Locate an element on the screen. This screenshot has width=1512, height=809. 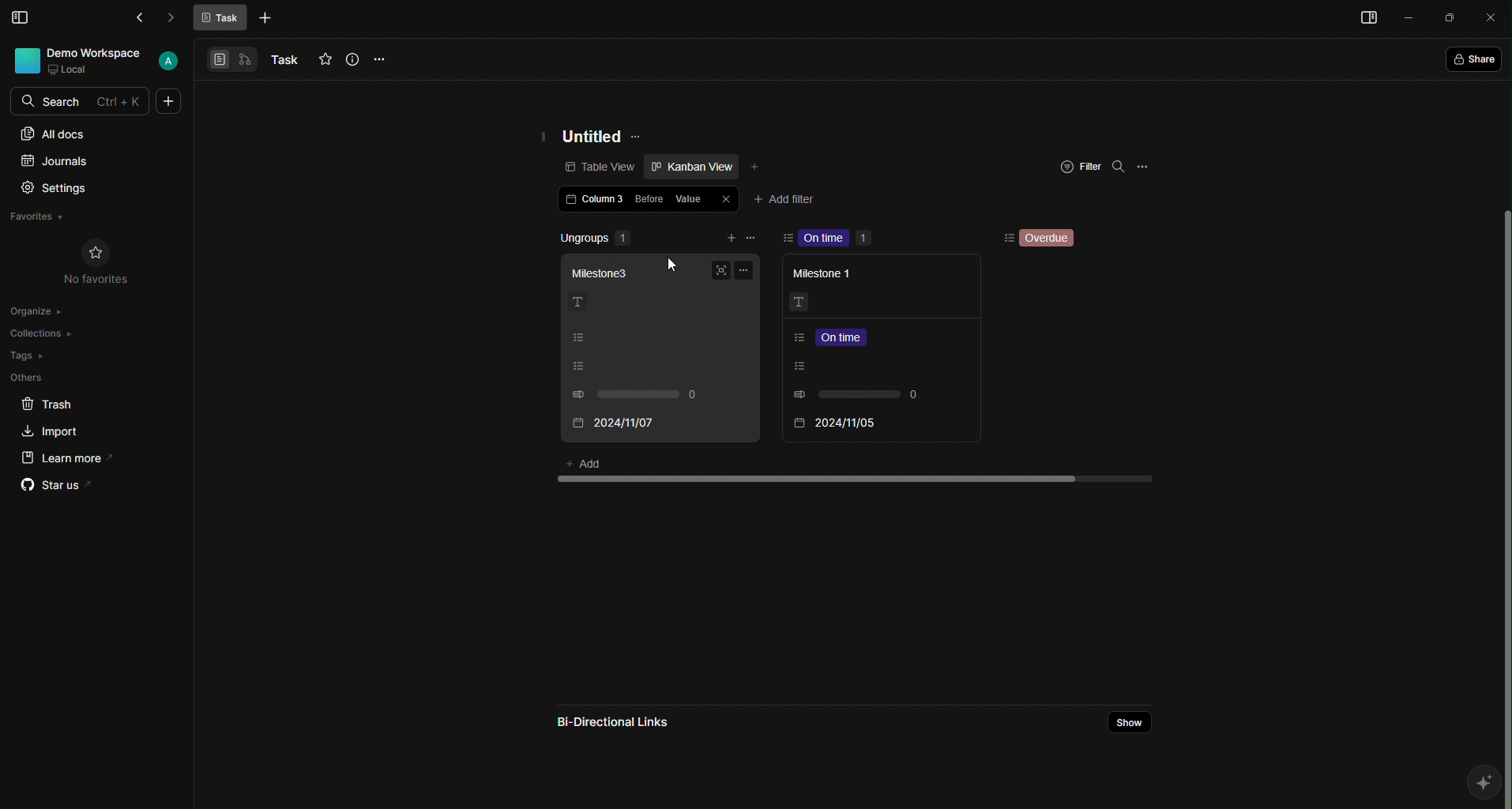
add is located at coordinates (731, 236).